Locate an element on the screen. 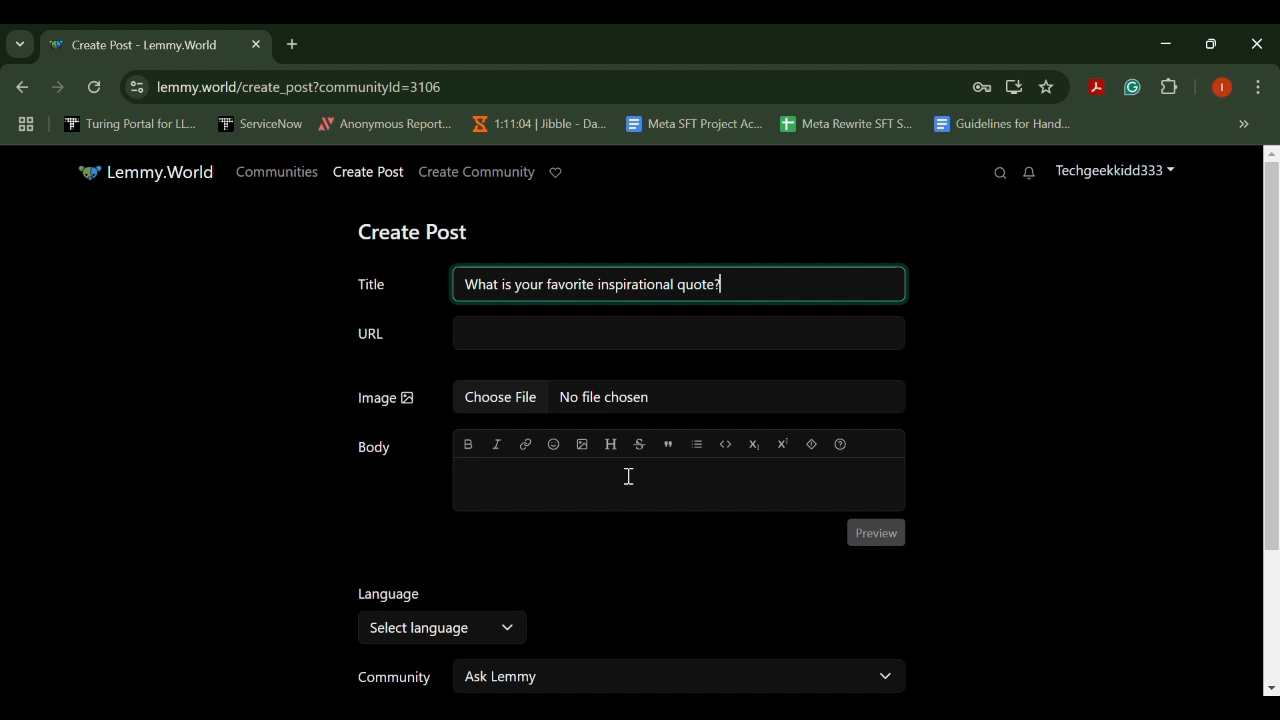 This screenshot has width=1280, height=720. italic is located at coordinates (497, 444).